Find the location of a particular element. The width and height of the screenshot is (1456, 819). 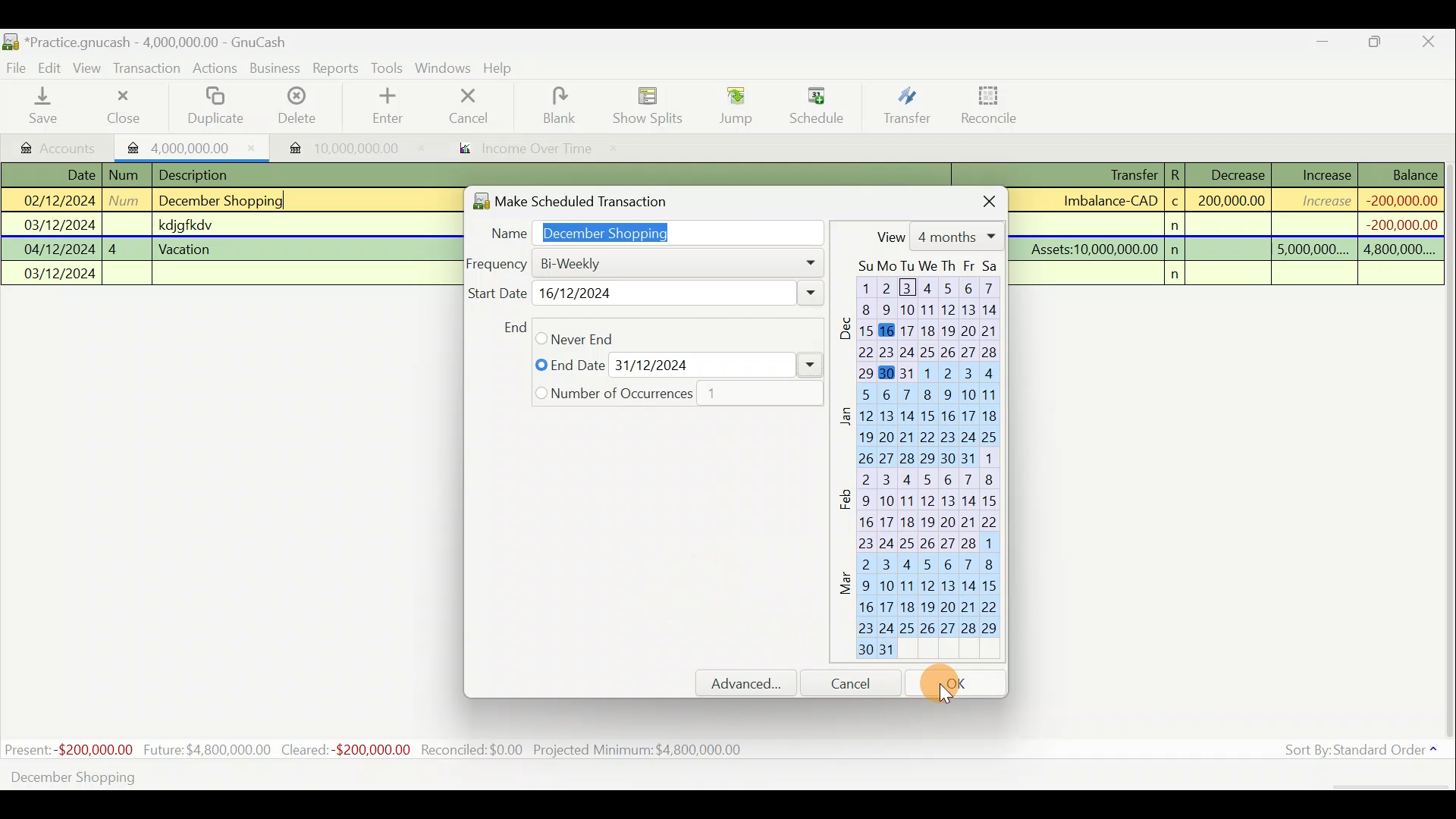

Show splits is located at coordinates (652, 105).